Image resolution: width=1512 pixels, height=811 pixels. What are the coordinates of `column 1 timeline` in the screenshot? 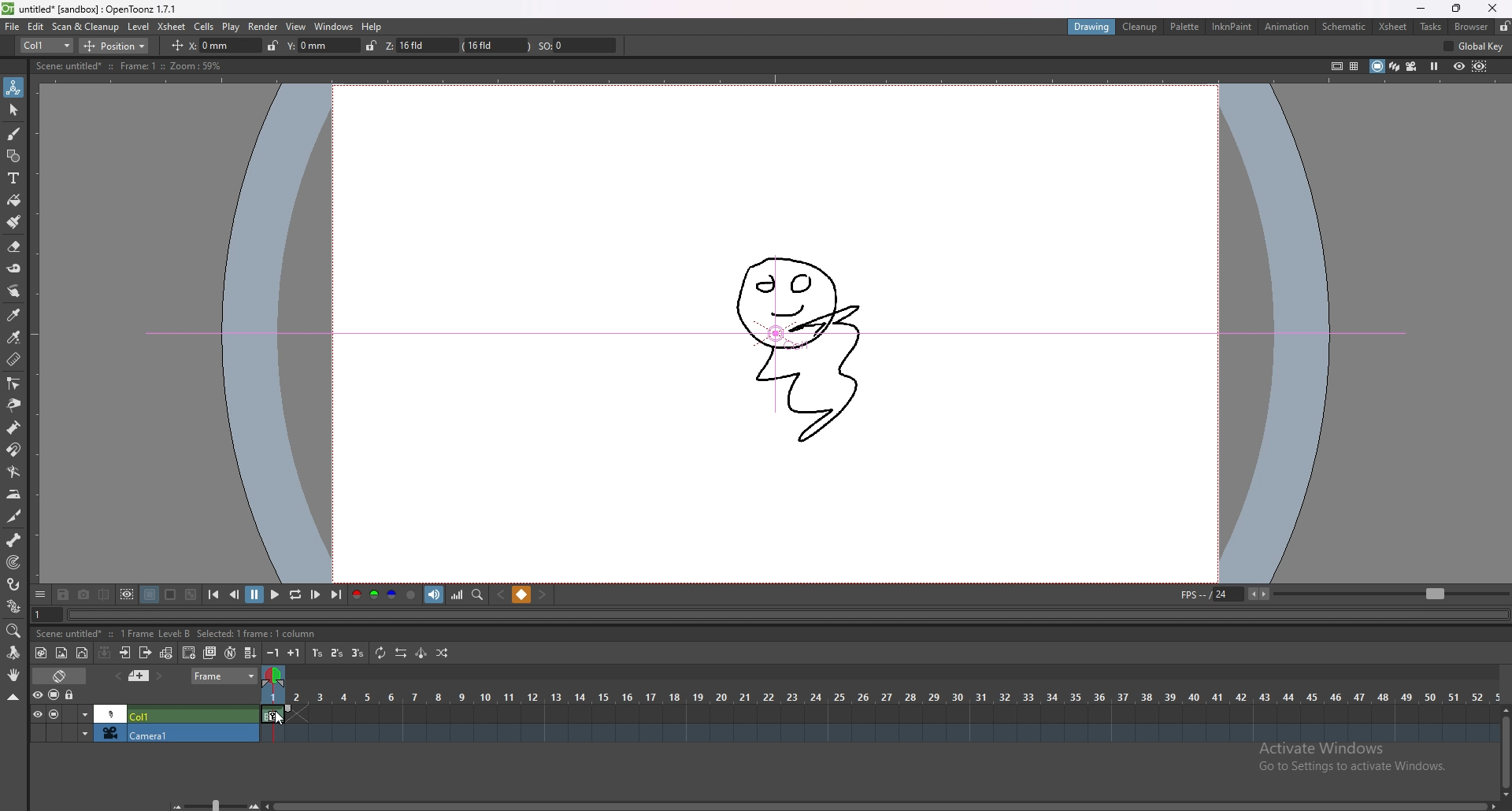 It's located at (877, 716).